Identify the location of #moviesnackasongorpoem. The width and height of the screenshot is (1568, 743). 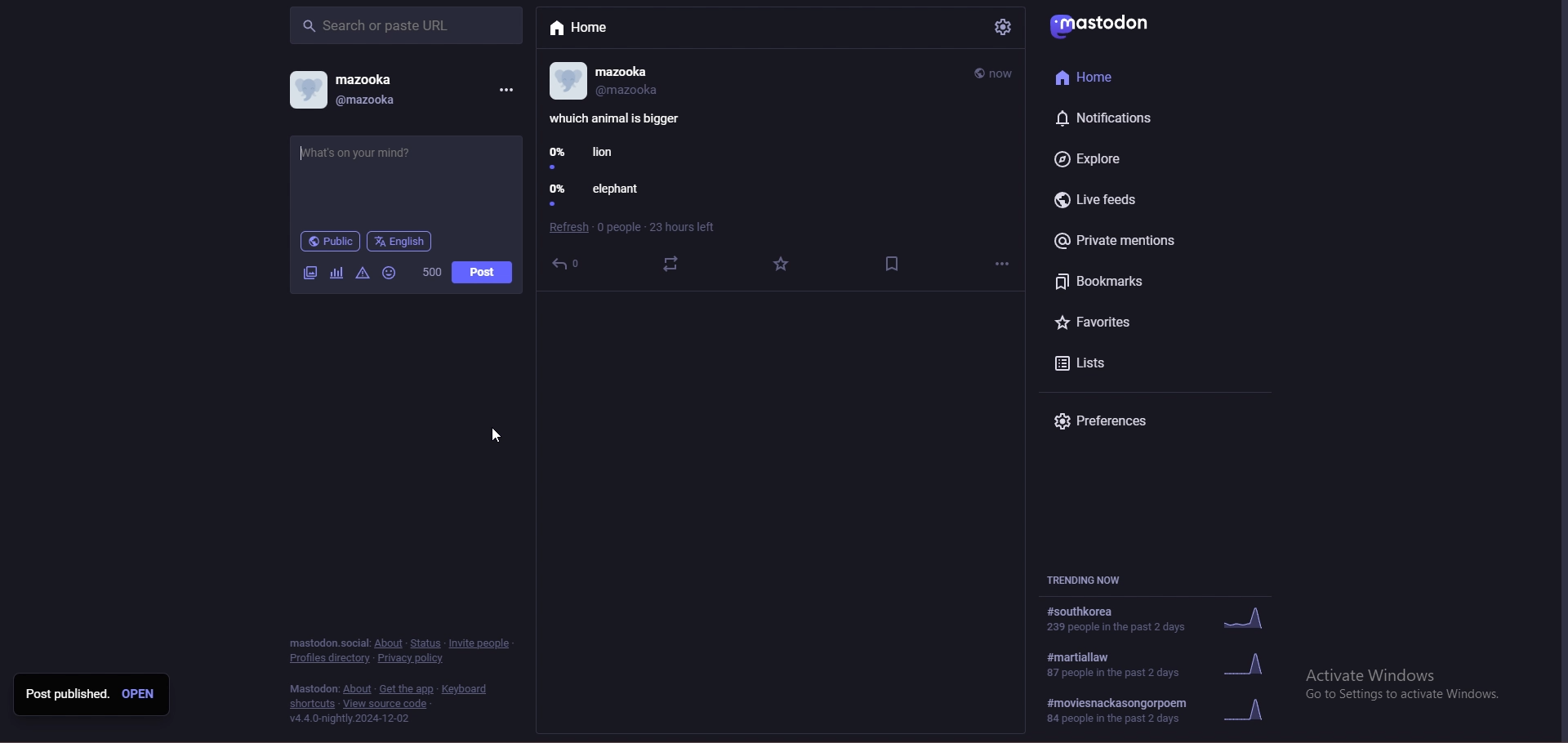
(1165, 711).